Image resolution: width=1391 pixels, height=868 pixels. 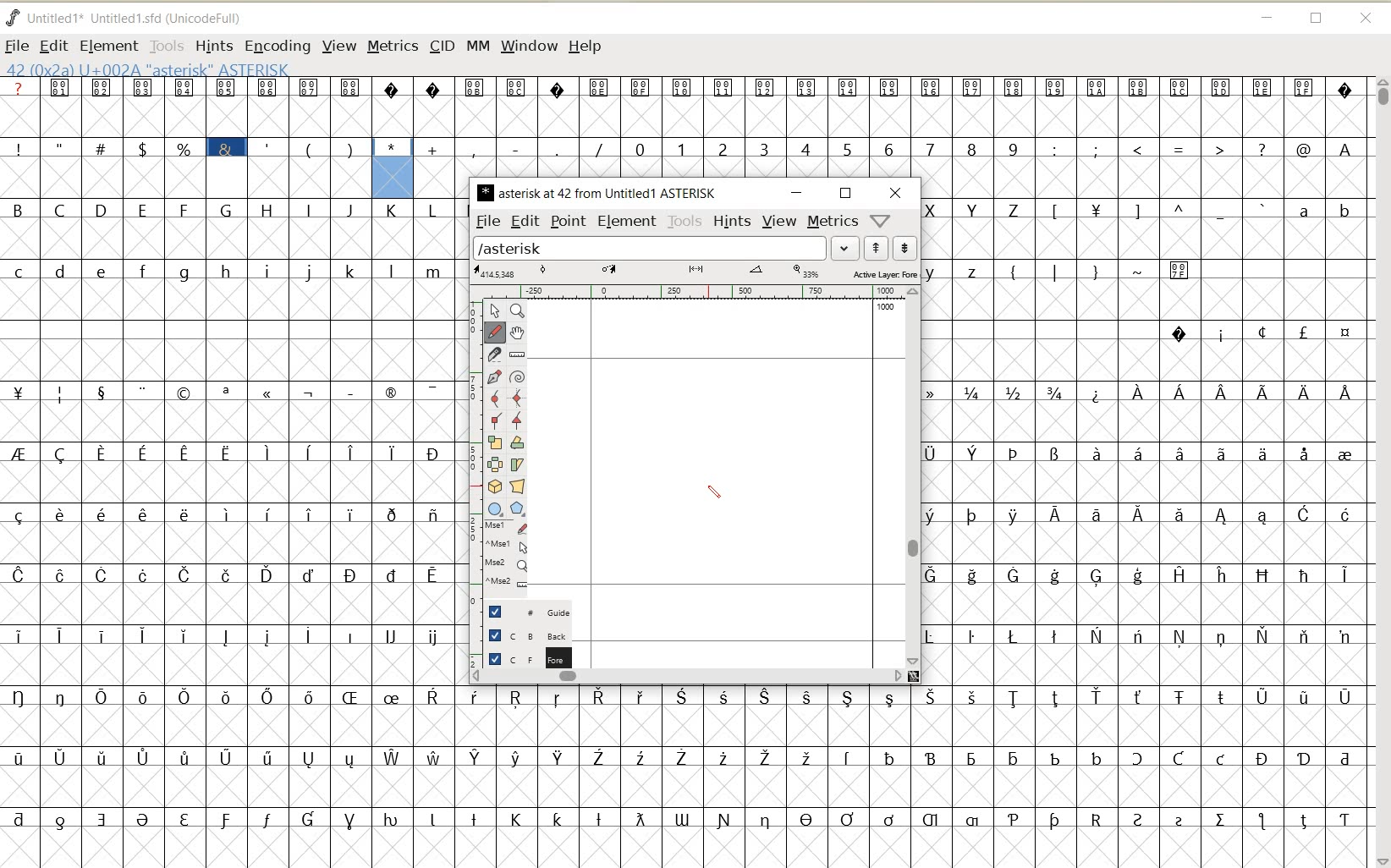 I want to click on rotate the selection, so click(x=517, y=444).